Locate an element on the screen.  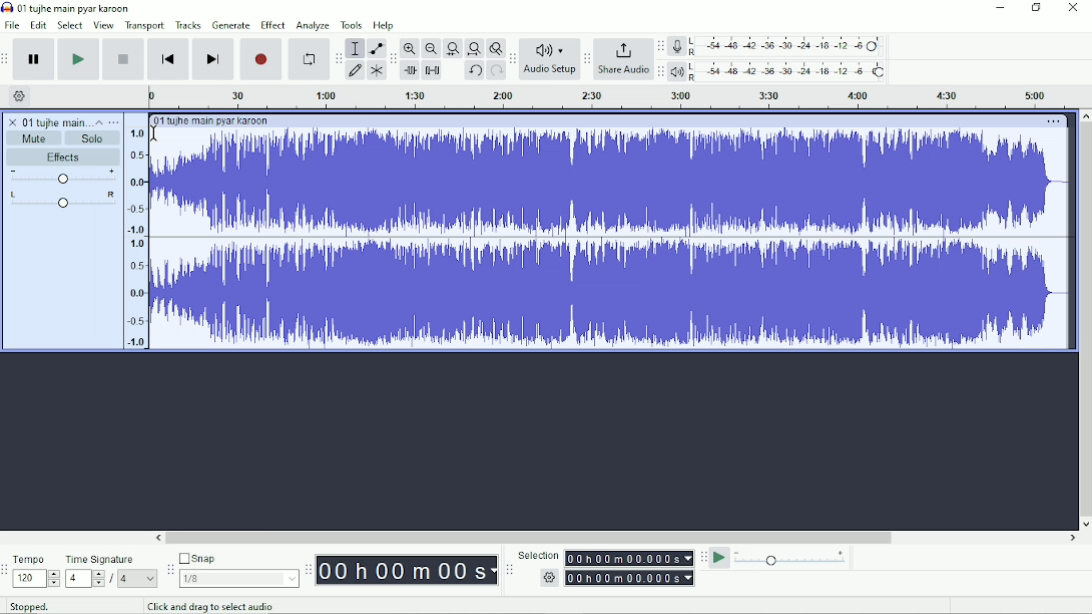
Fit selection to width is located at coordinates (452, 48).